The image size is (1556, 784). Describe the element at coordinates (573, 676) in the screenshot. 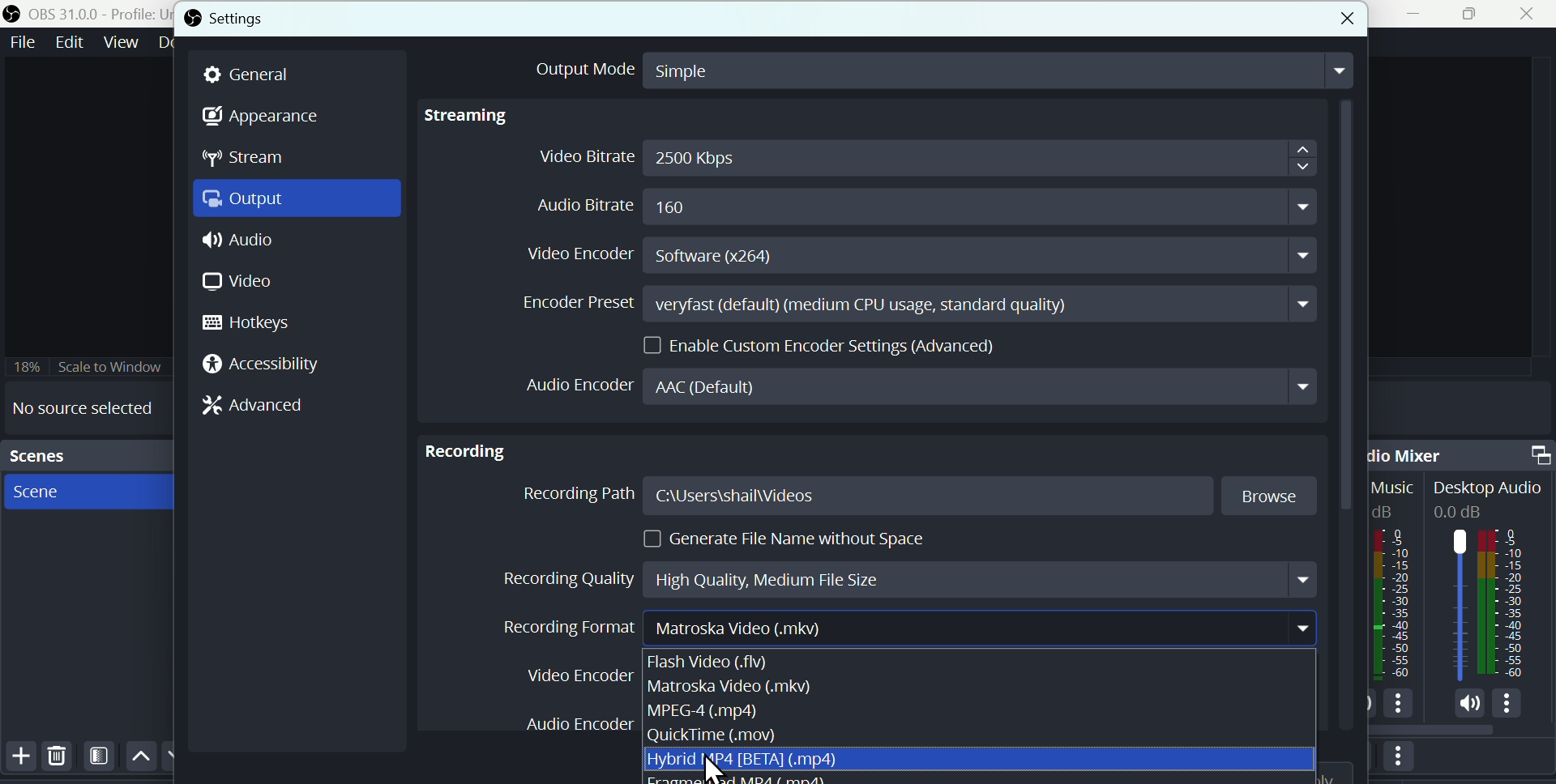

I see `Video en coder` at that location.